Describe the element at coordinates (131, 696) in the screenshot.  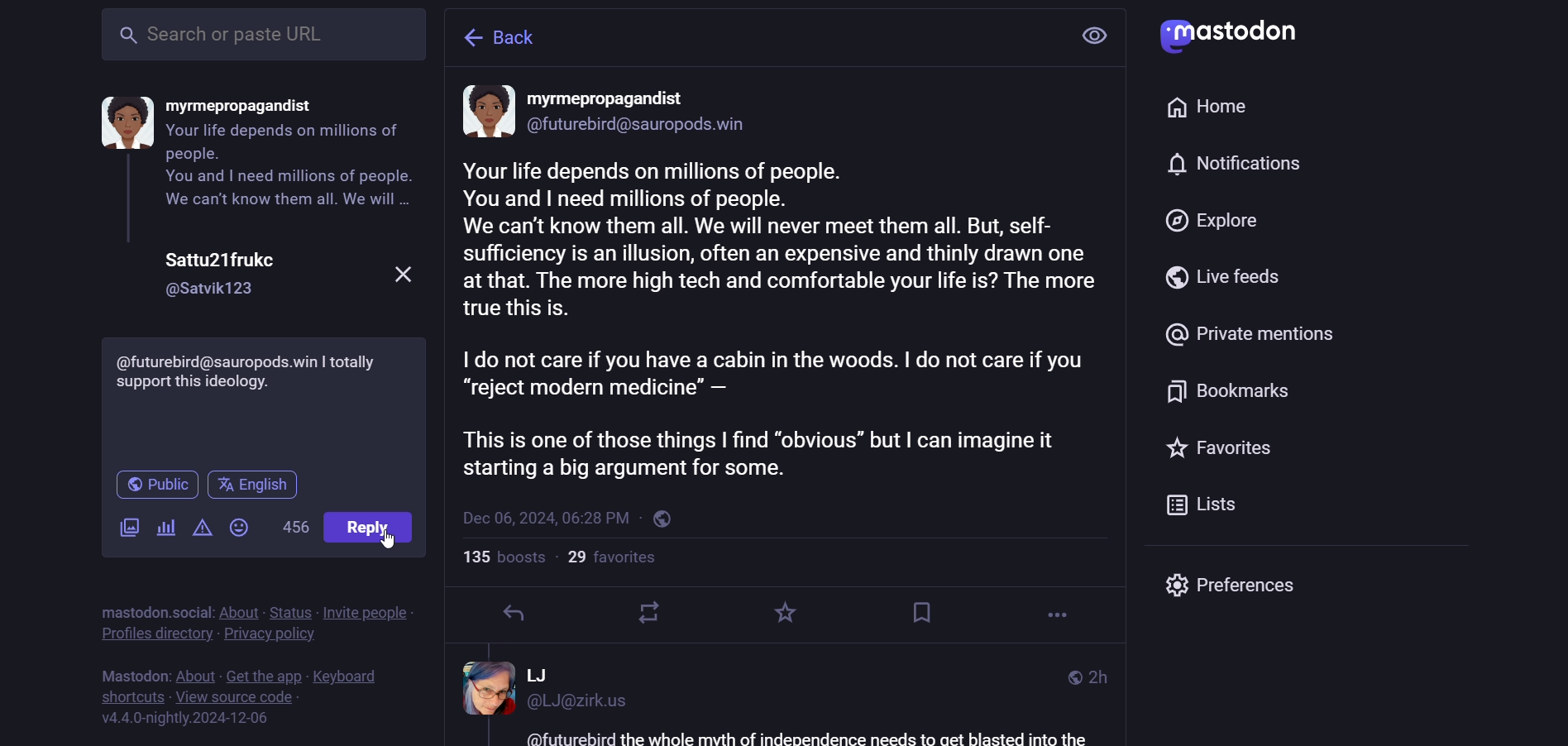
I see `short` at that location.